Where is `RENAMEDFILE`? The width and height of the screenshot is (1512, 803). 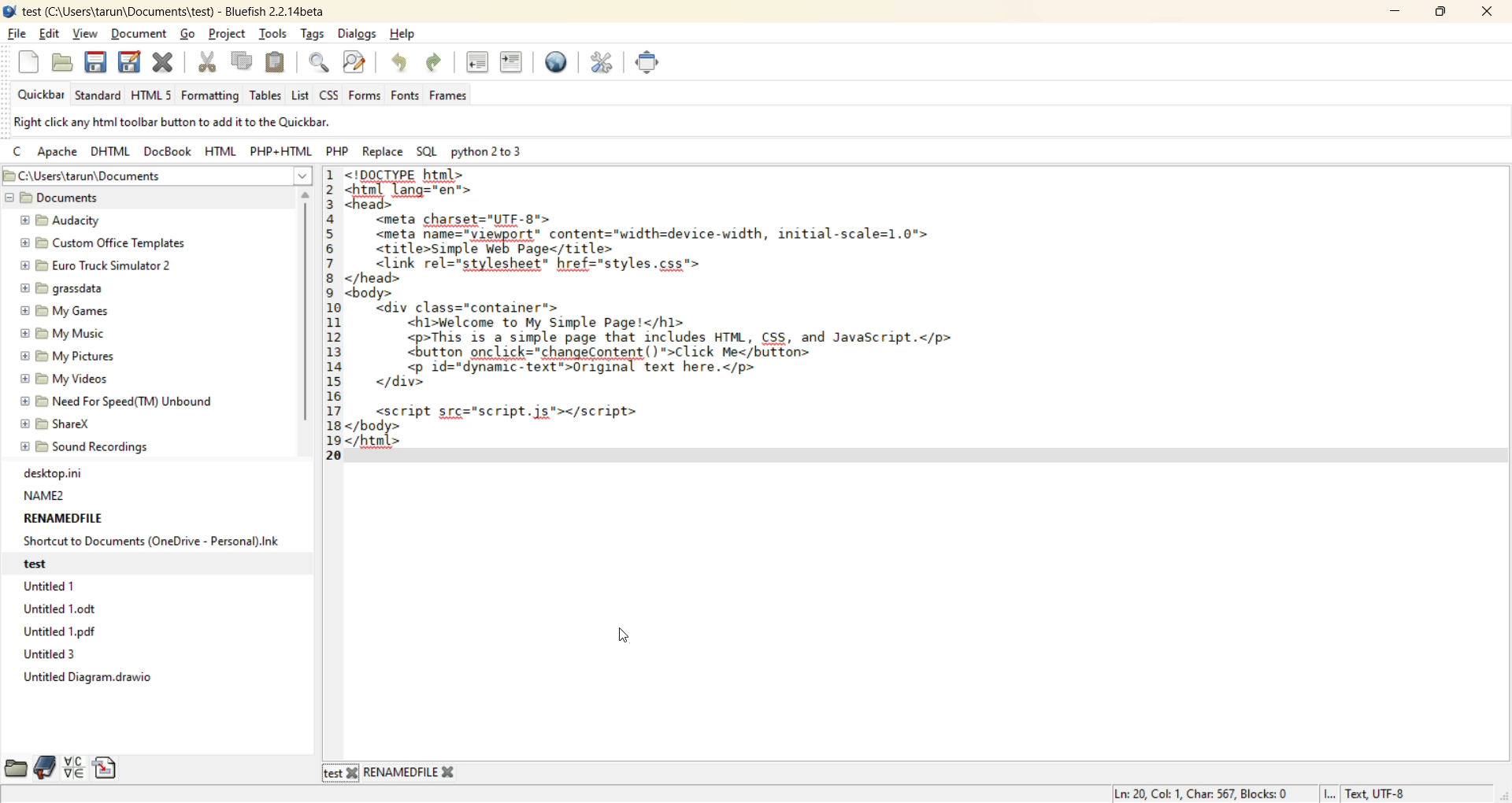 RENAMEDFILE is located at coordinates (63, 516).